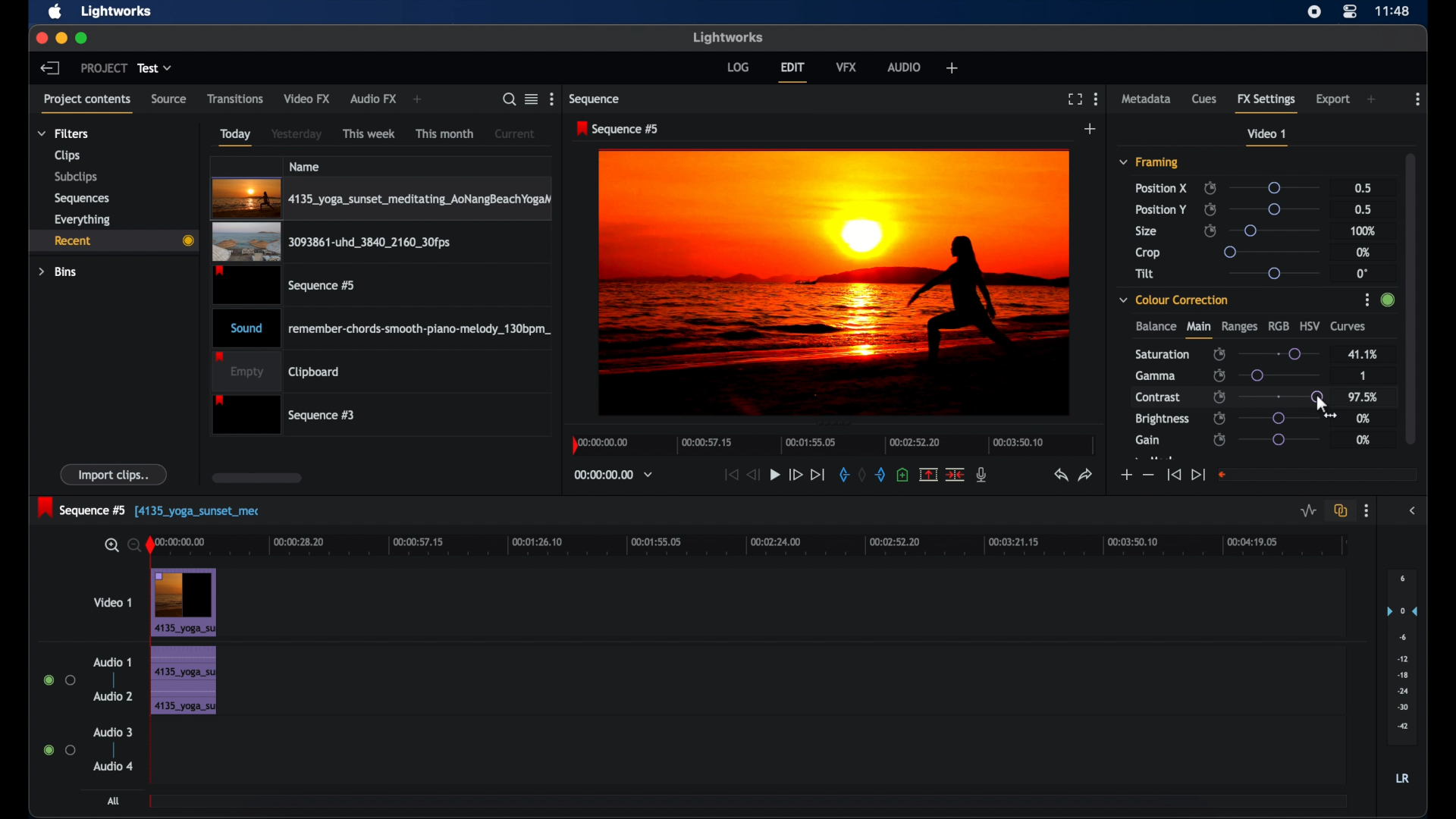 This screenshot has height=819, width=1456. I want to click on sequence, so click(596, 99).